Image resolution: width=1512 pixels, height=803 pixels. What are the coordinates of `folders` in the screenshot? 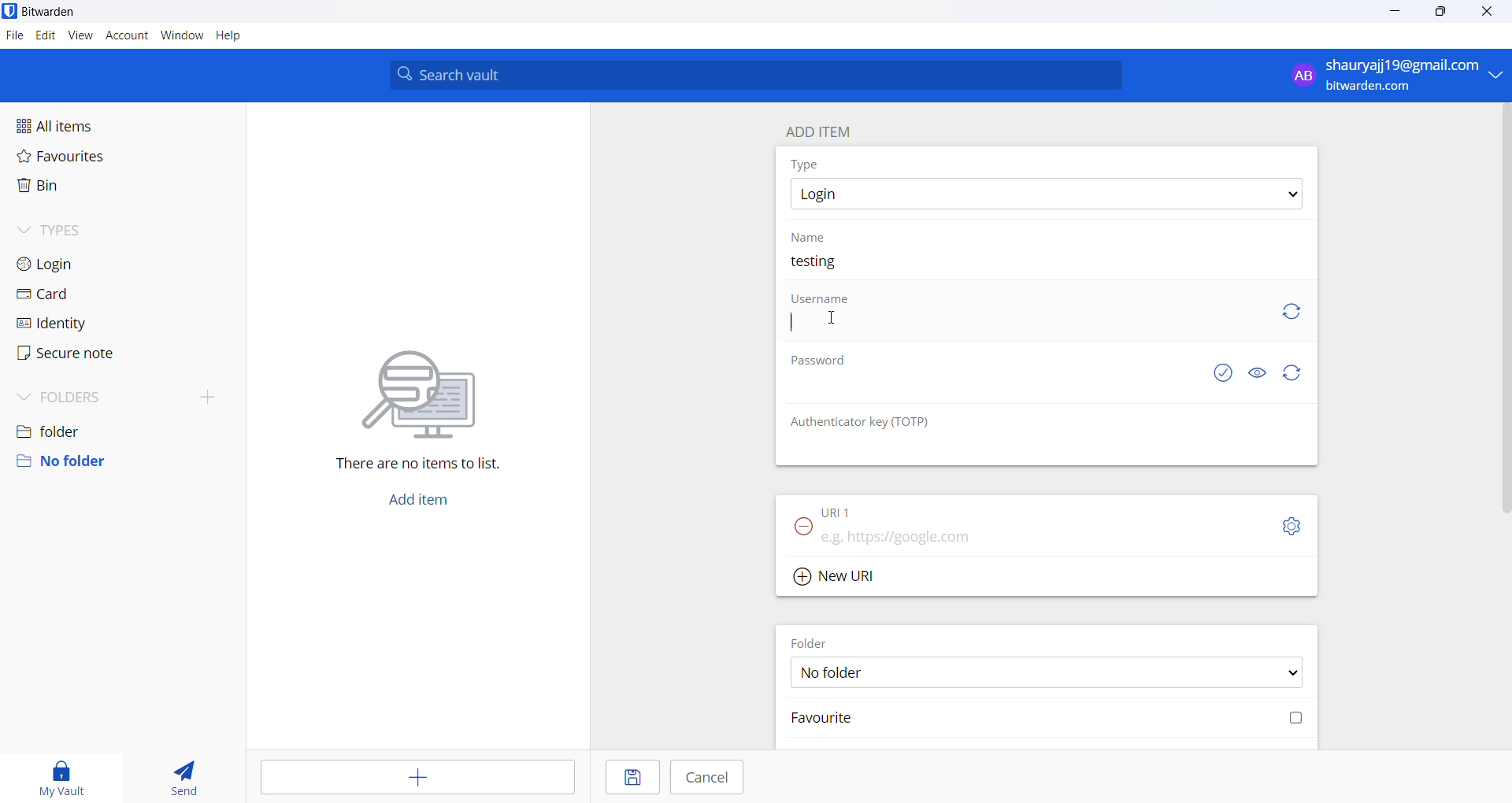 It's located at (126, 394).